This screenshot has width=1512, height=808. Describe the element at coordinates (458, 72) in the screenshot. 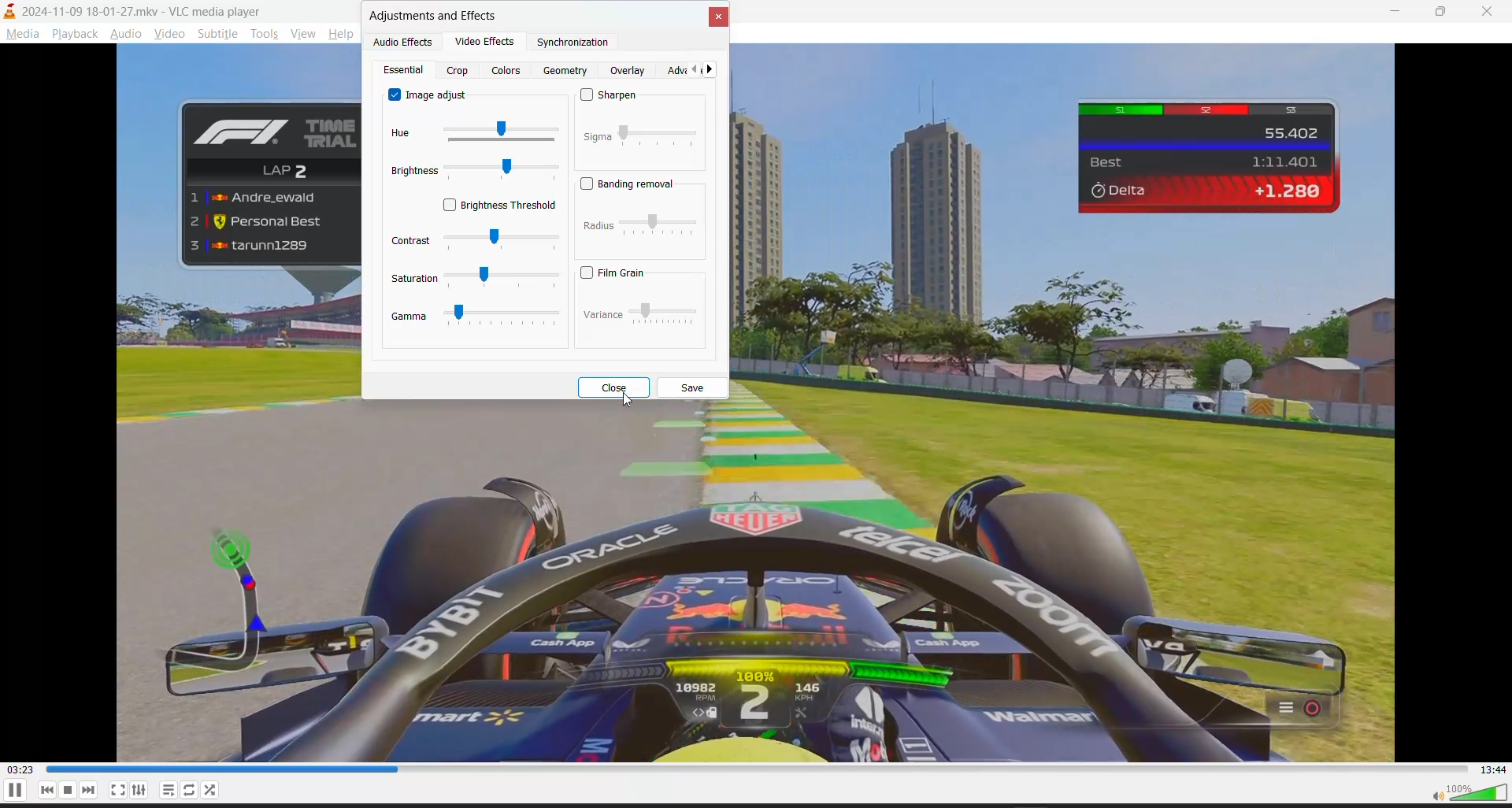

I see `crop` at that location.